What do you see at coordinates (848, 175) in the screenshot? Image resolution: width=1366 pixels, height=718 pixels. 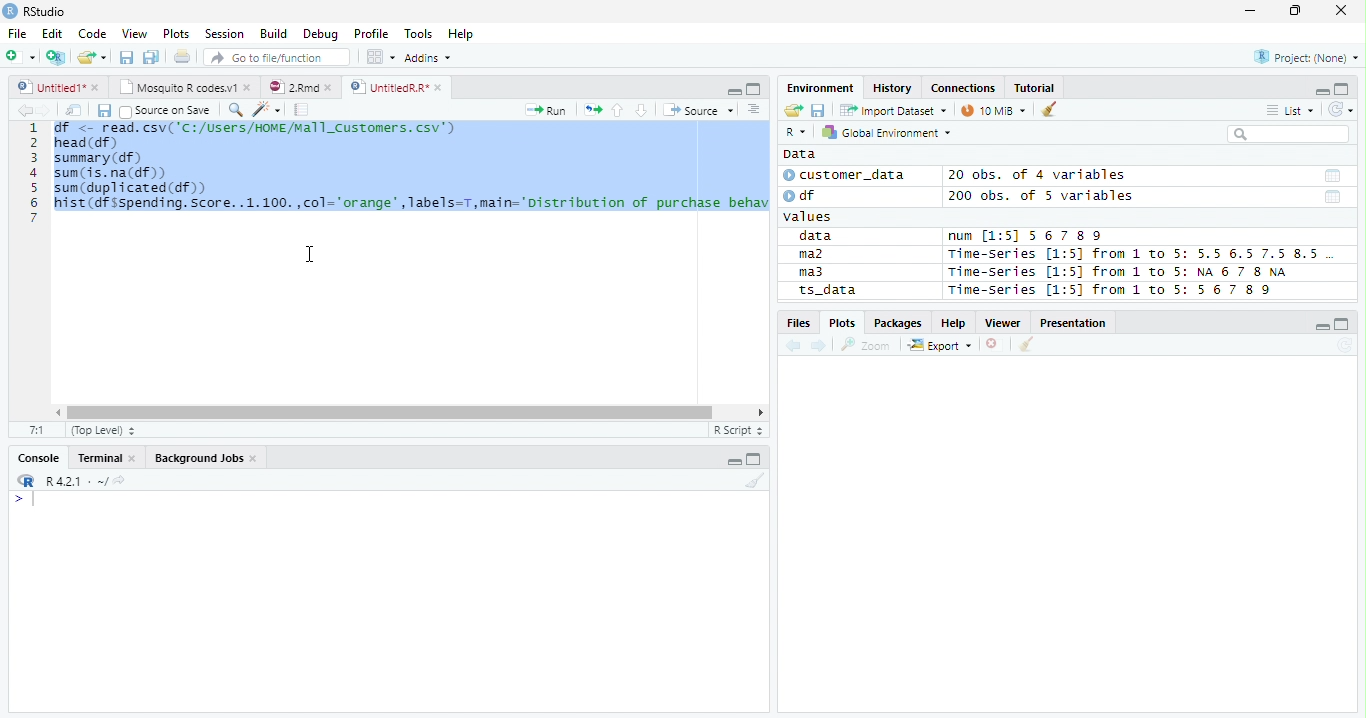 I see `customer_data` at bounding box center [848, 175].